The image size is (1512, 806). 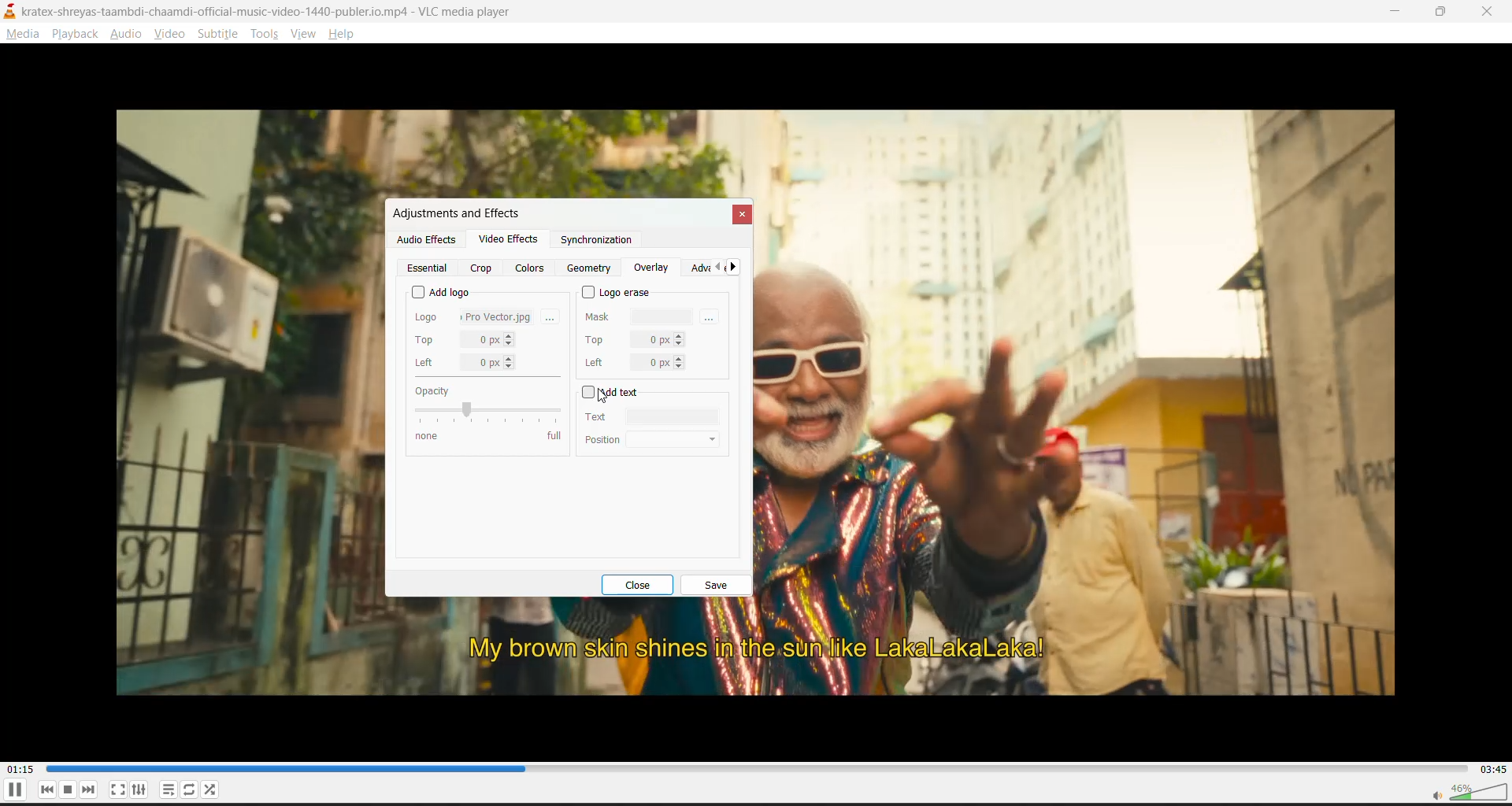 What do you see at coordinates (651, 268) in the screenshot?
I see `overlay` at bounding box center [651, 268].